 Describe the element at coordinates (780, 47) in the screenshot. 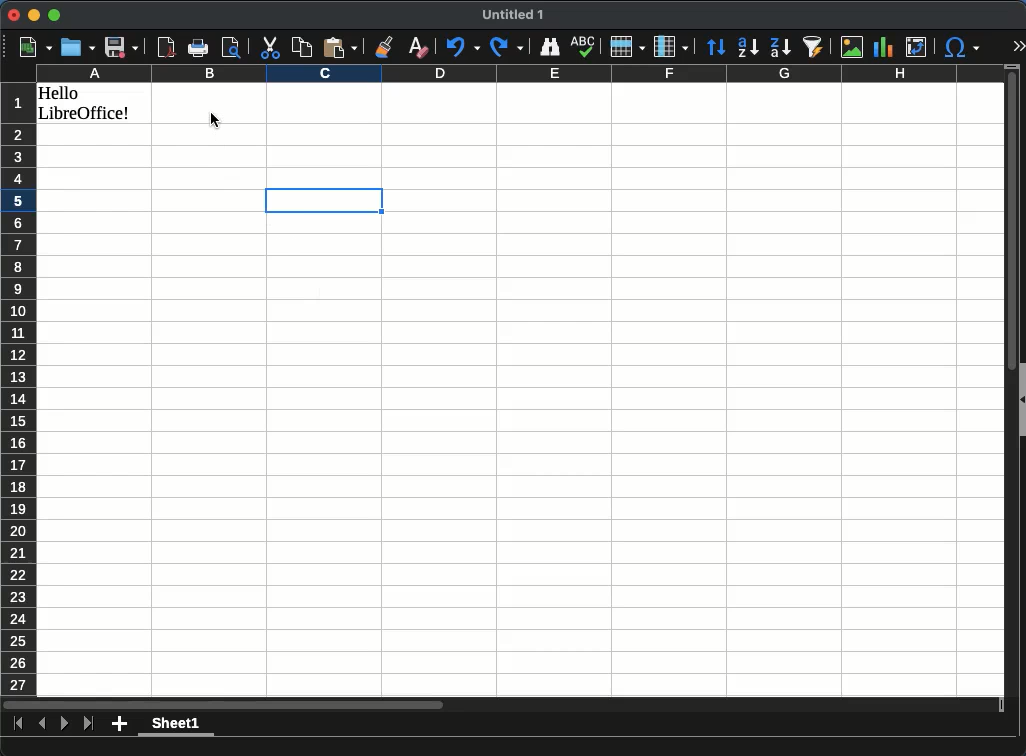

I see `descending` at that location.